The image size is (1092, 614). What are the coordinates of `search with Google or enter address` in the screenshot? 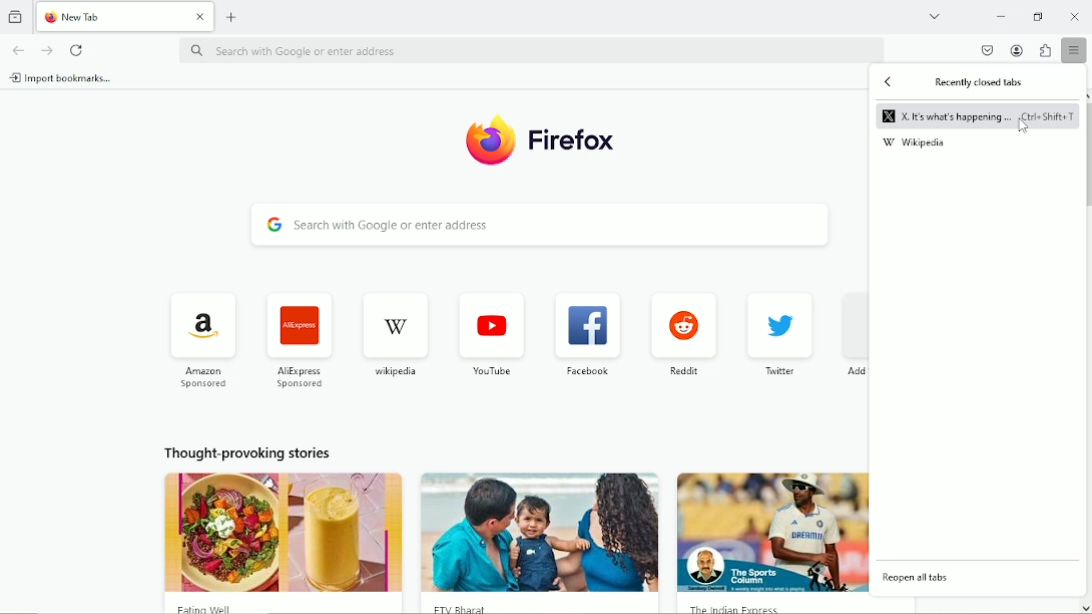 It's located at (532, 53).